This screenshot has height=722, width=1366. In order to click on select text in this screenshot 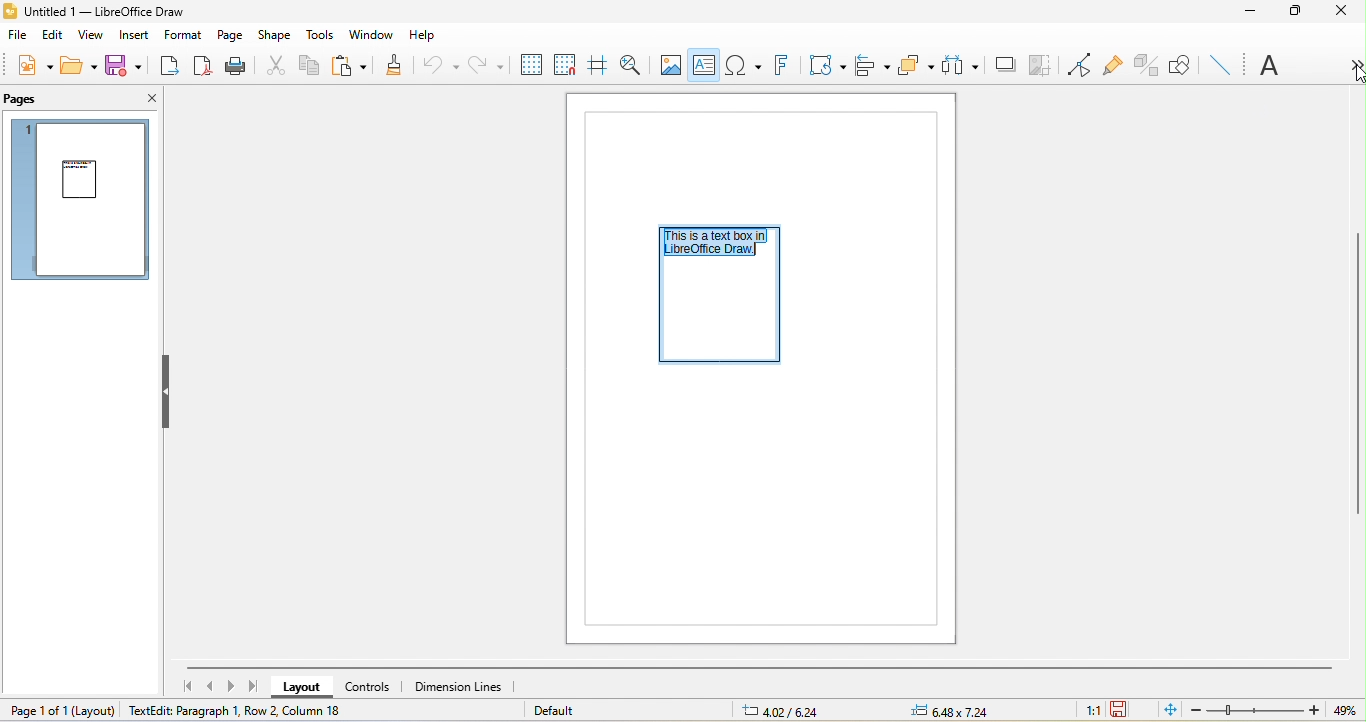, I will do `click(722, 245)`.